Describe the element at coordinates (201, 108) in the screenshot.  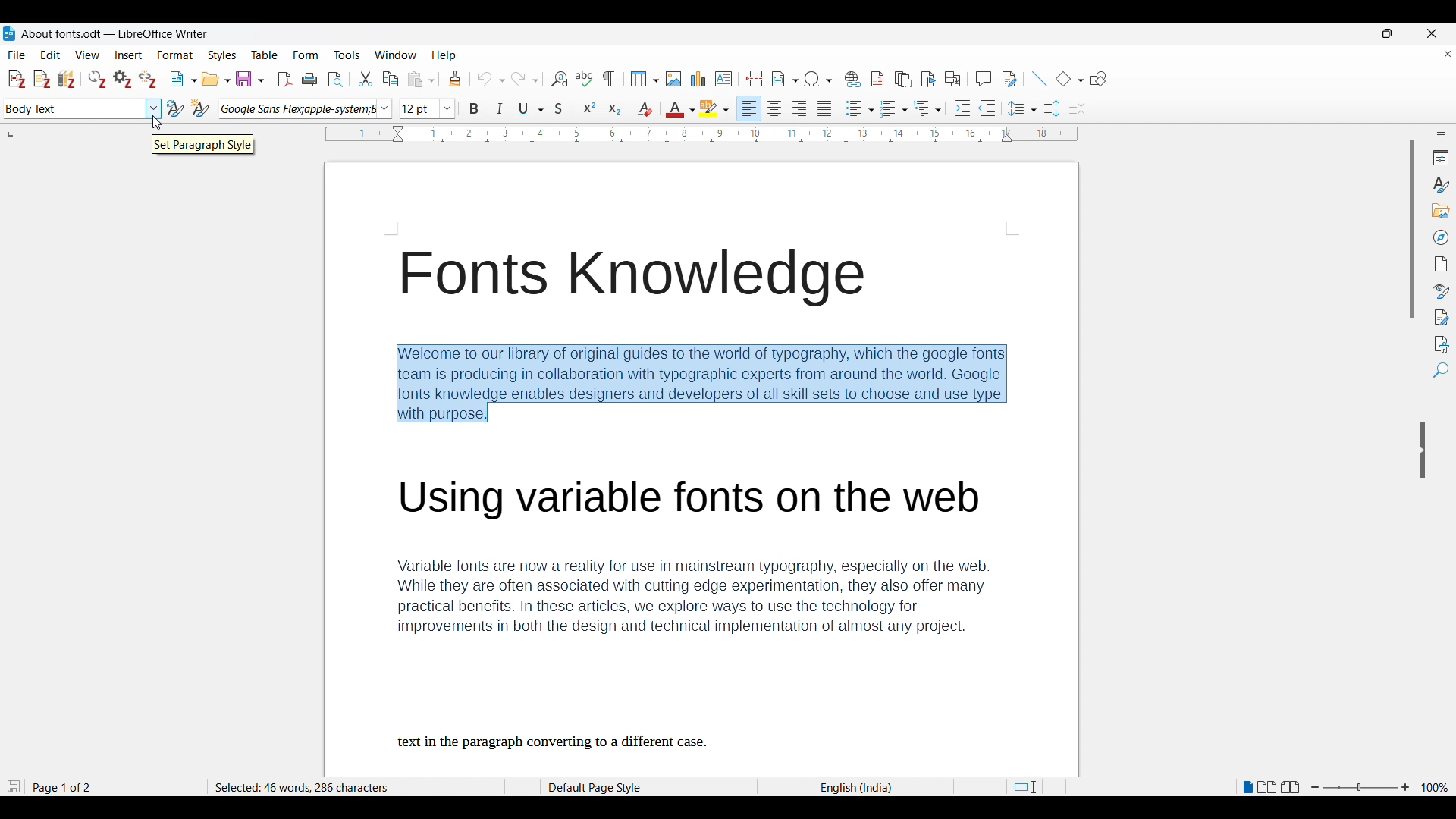
I see `New style from selection` at that location.